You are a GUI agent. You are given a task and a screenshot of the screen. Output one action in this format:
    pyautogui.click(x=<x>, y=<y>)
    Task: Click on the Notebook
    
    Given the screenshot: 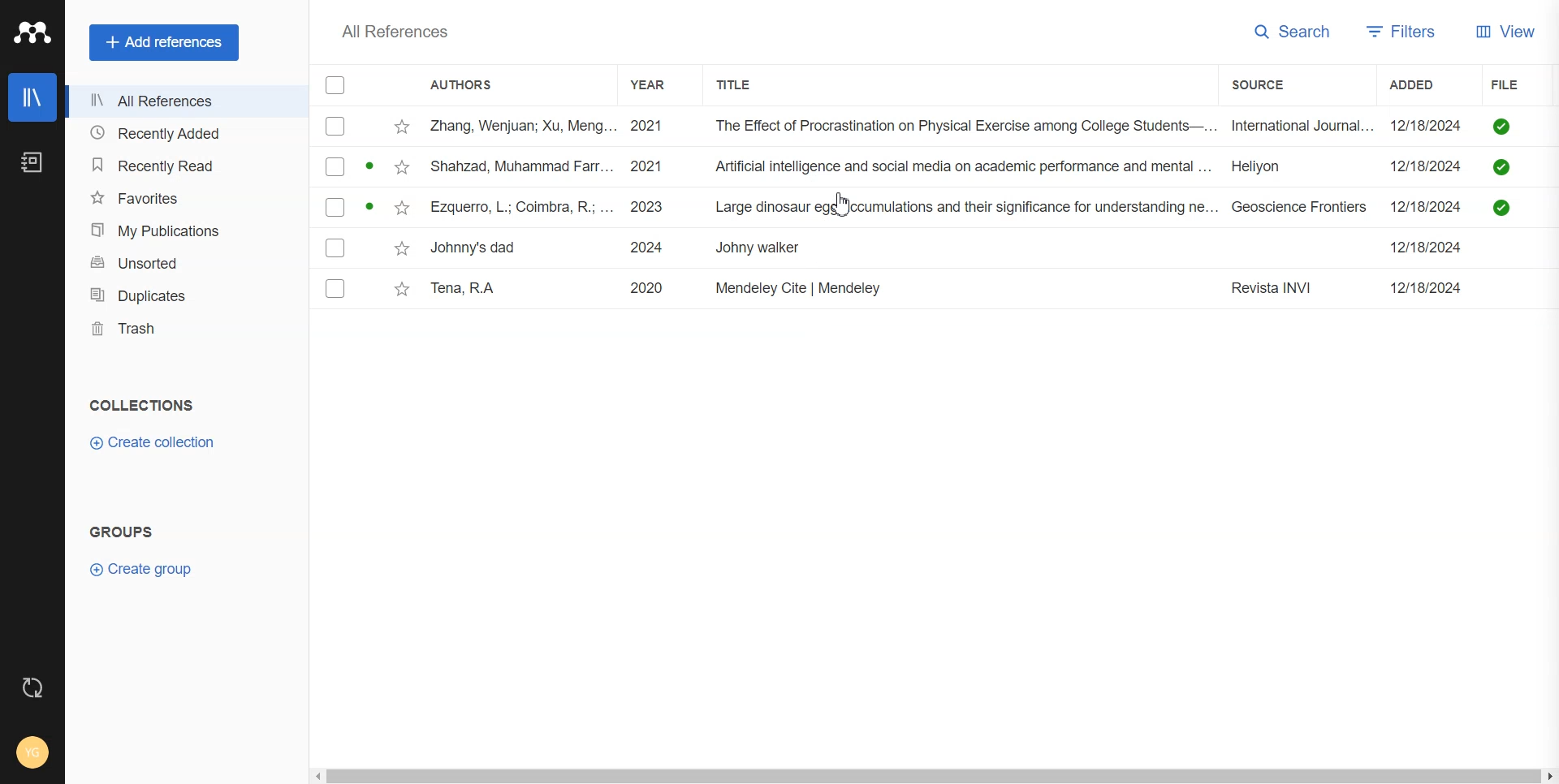 What is the action you would take?
    pyautogui.click(x=34, y=163)
    